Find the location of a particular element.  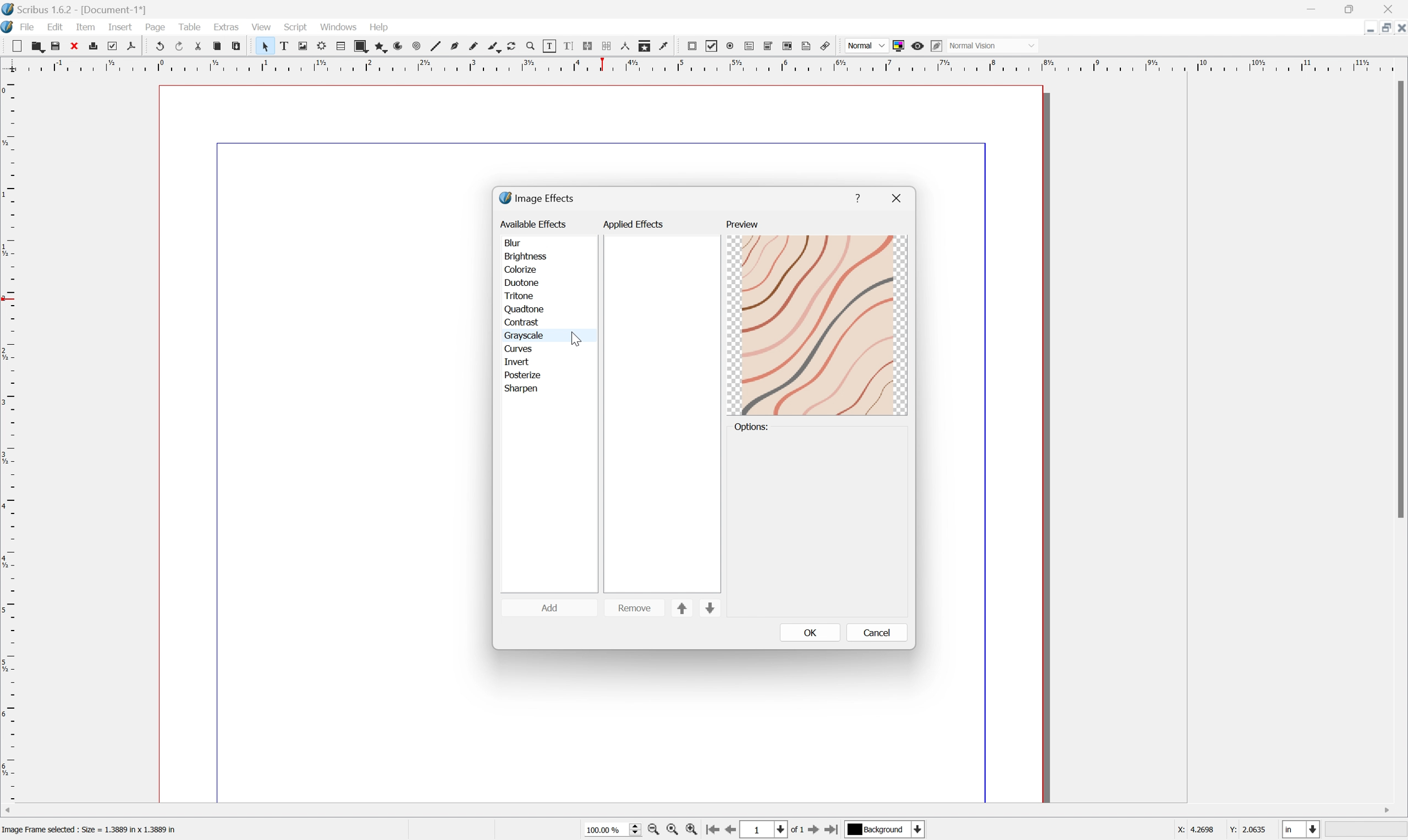

Select the current page is located at coordinates (766, 830).